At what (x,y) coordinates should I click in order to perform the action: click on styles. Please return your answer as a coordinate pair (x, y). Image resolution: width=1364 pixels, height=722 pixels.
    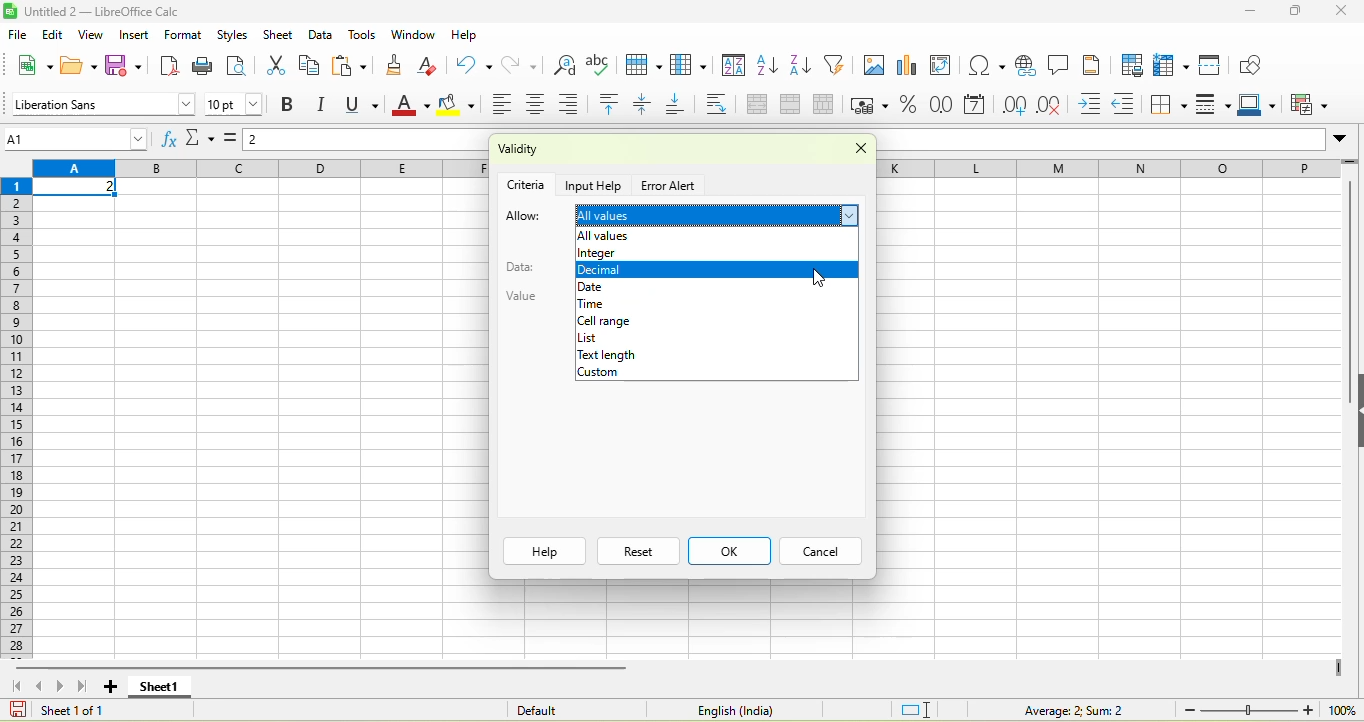
    Looking at the image, I should click on (231, 33).